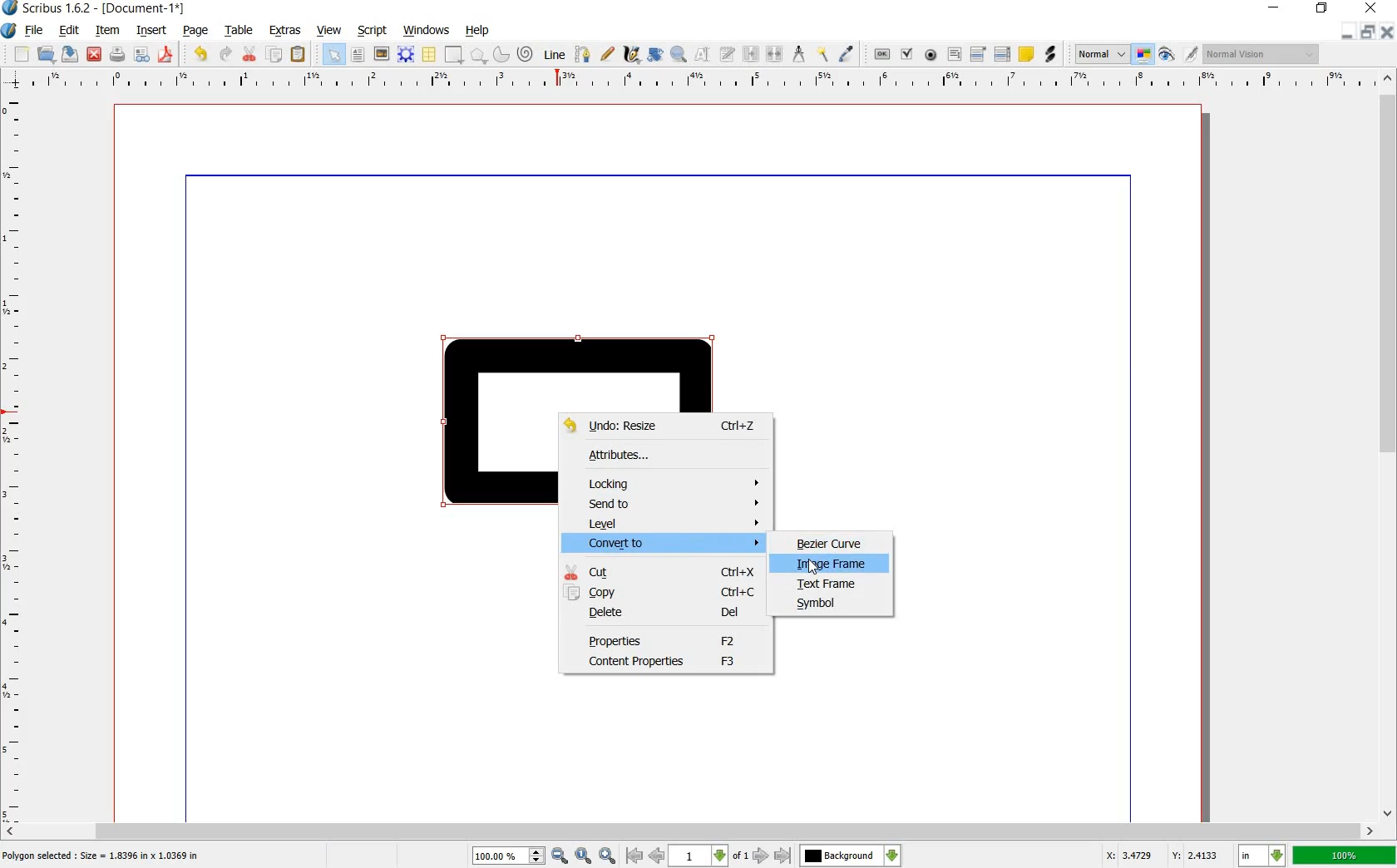 The image size is (1397, 868). I want to click on redo, so click(225, 55).